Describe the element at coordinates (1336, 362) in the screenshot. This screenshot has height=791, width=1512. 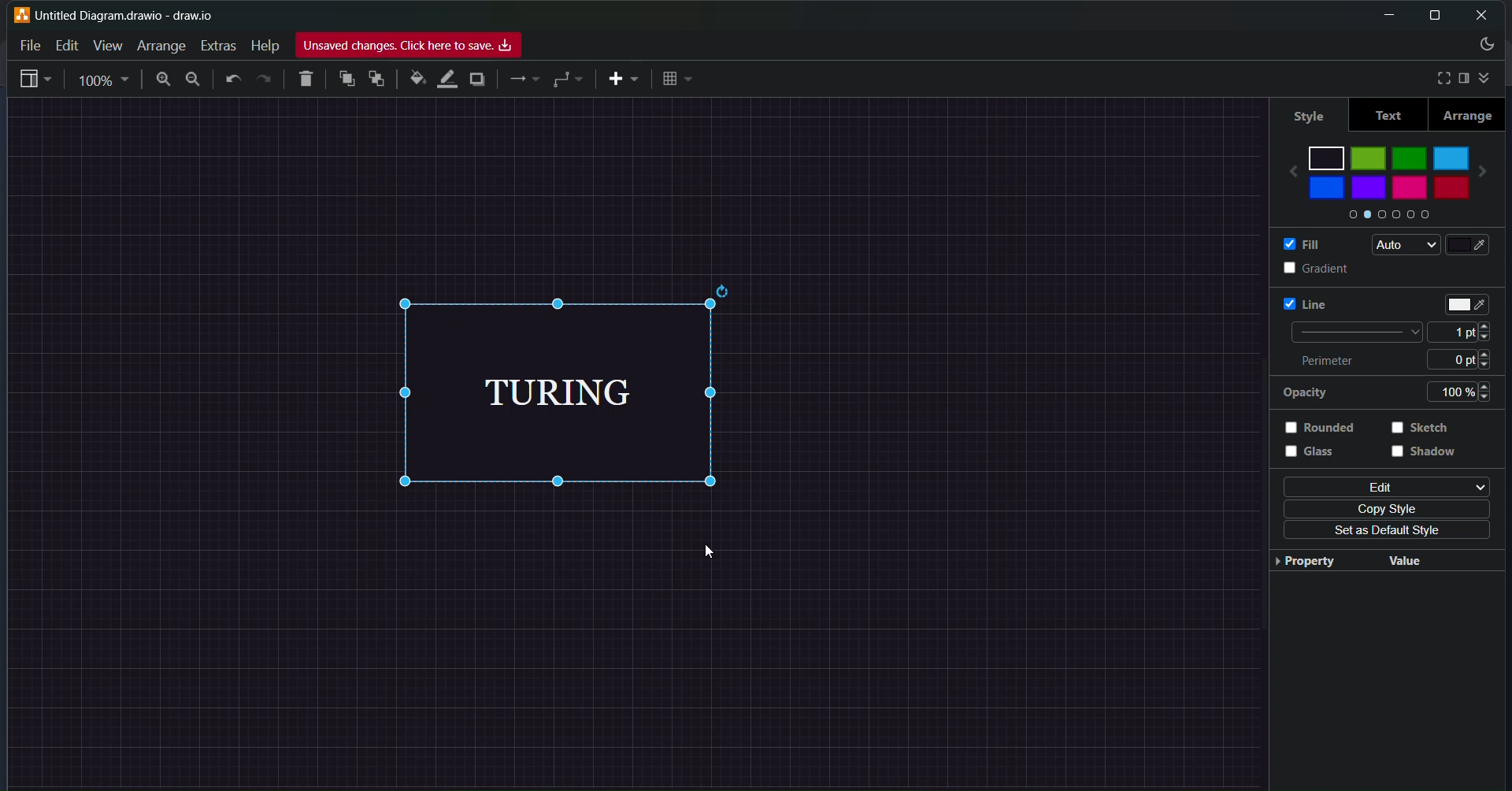
I see `perimeter` at that location.